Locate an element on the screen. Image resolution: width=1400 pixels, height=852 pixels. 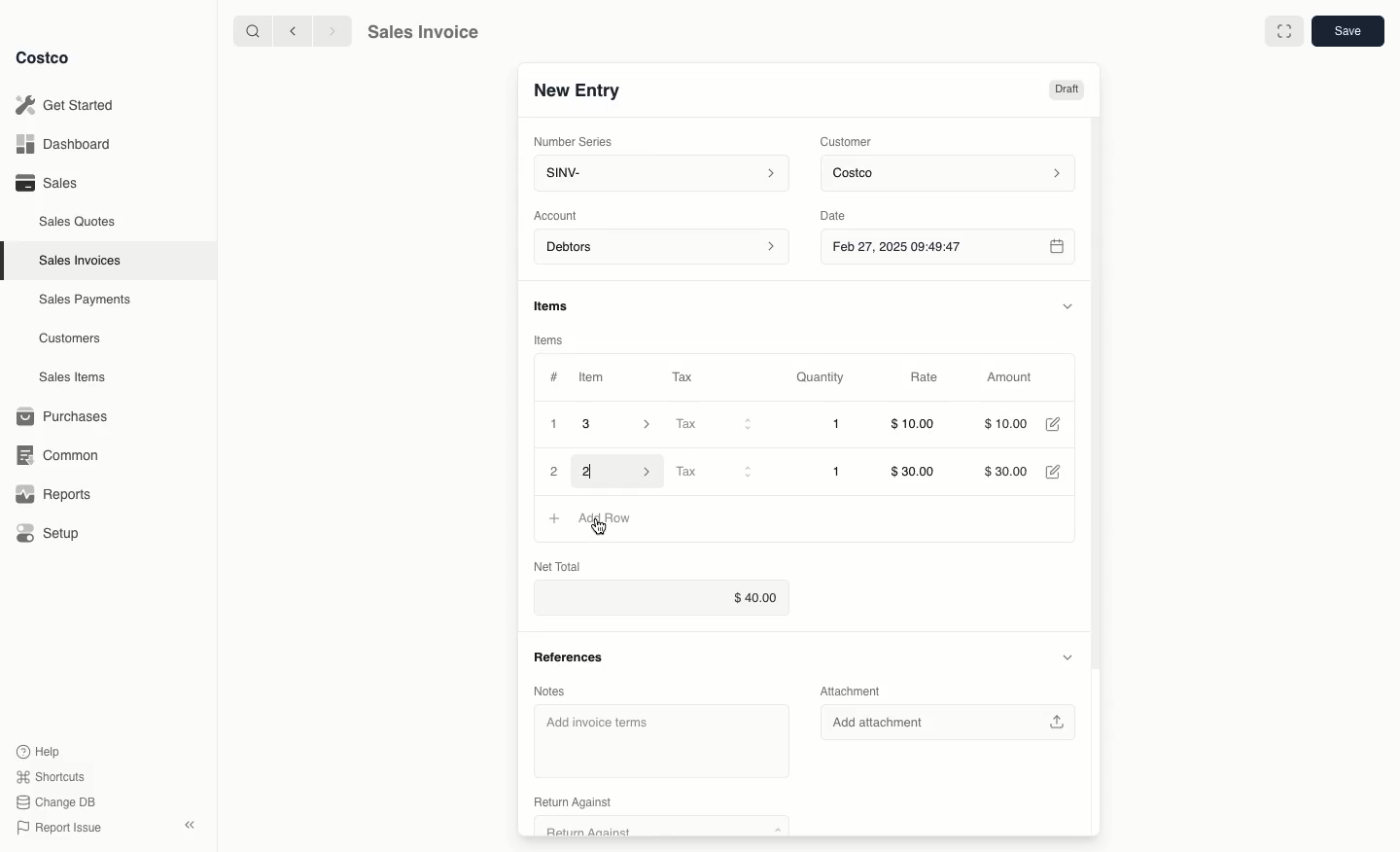
$10.00 is located at coordinates (1010, 423).